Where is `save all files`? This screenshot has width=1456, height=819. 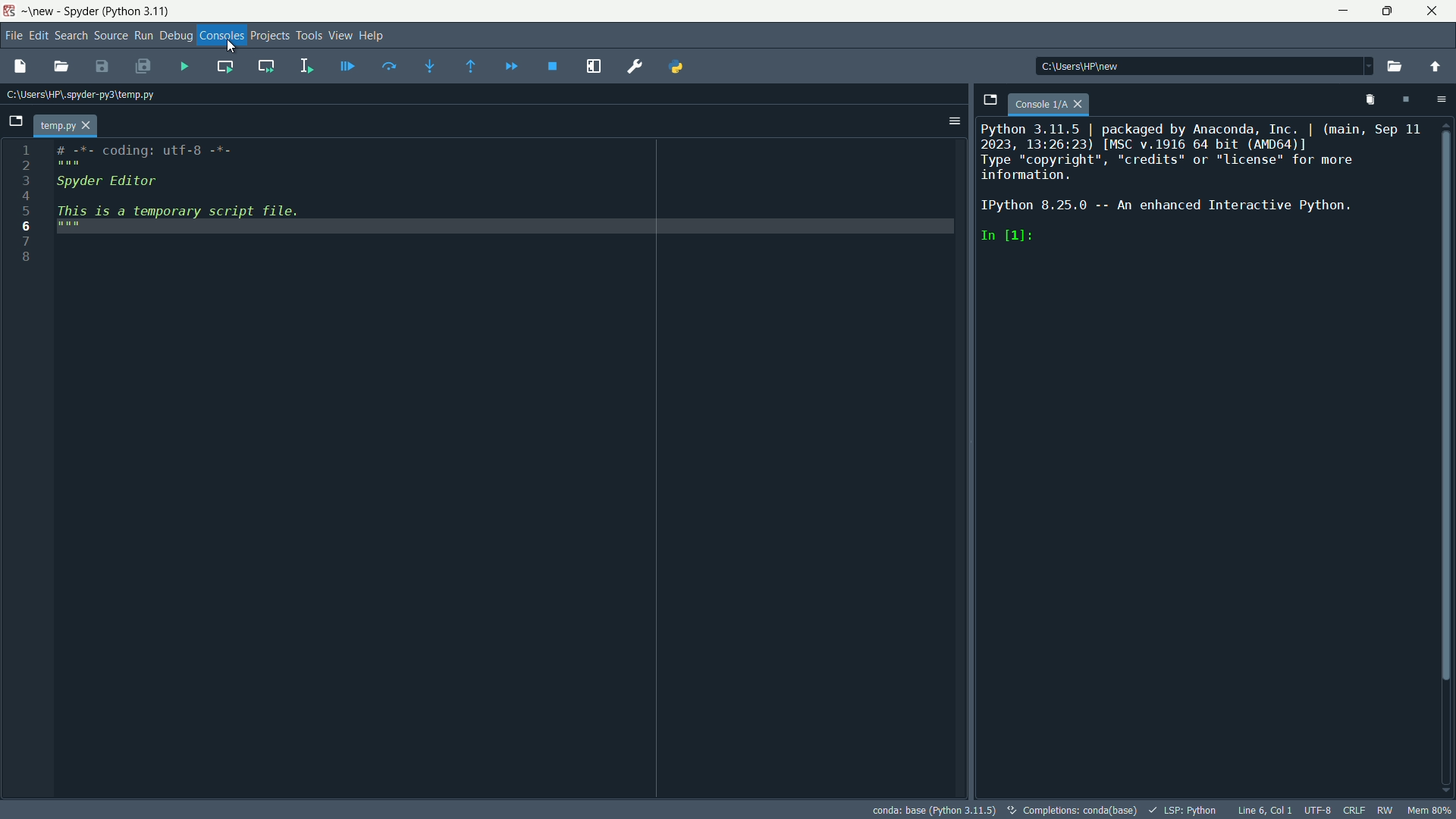
save all files is located at coordinates (143, 67).